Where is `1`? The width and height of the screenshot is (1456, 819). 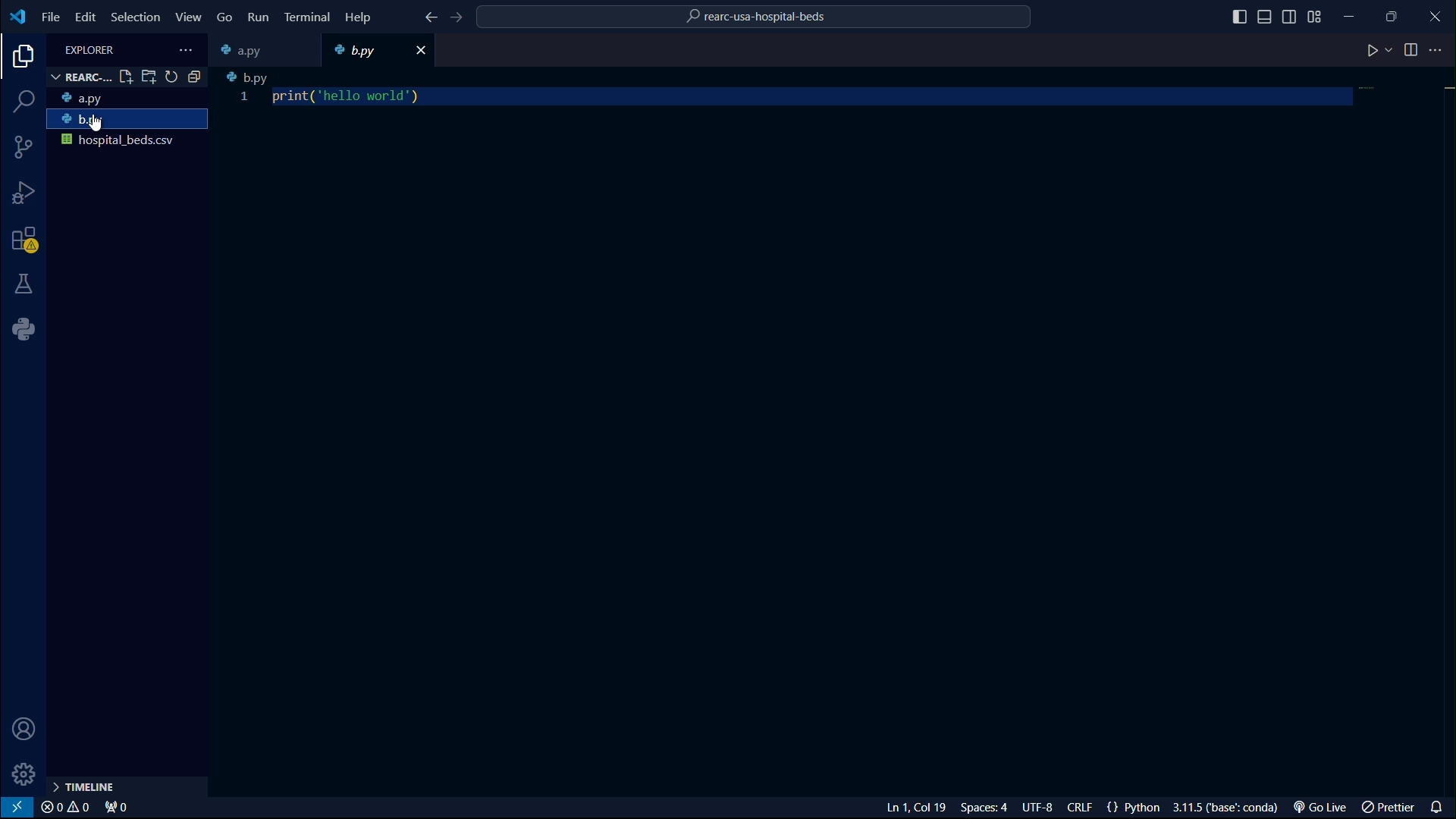 1 is located at coordinates (244, 99).